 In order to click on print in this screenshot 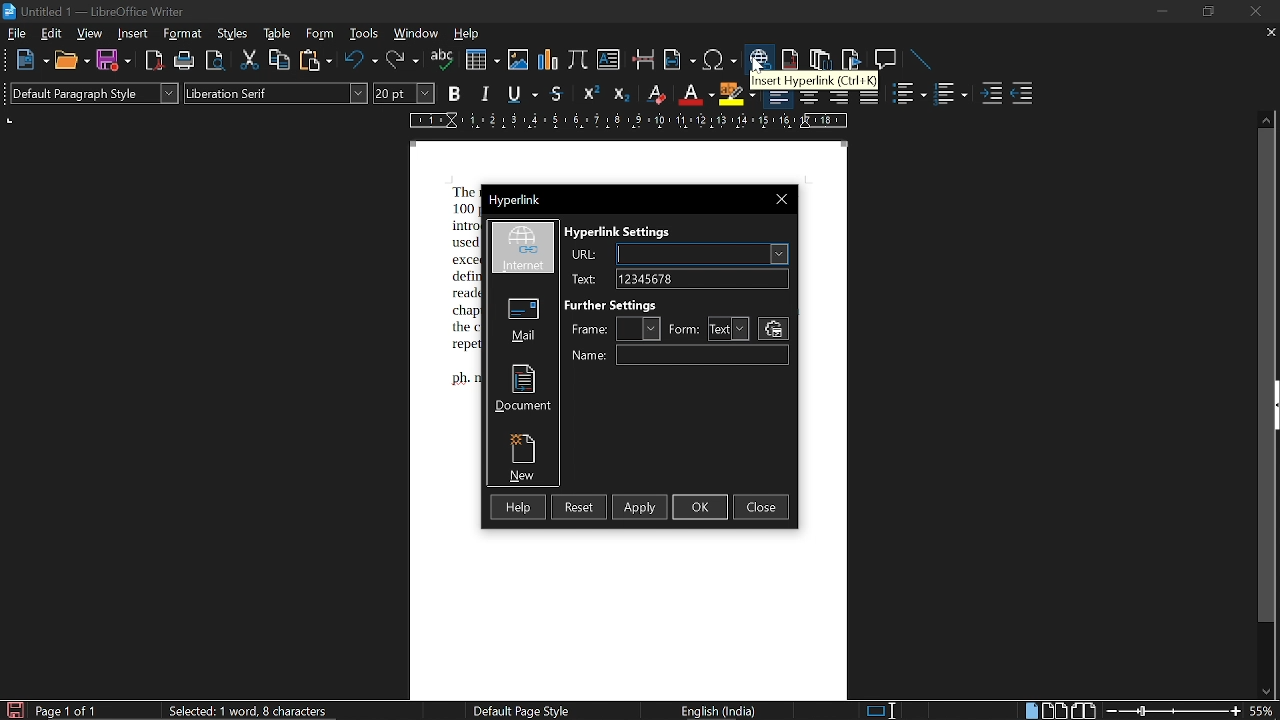, I will do `click(182, 61)`.